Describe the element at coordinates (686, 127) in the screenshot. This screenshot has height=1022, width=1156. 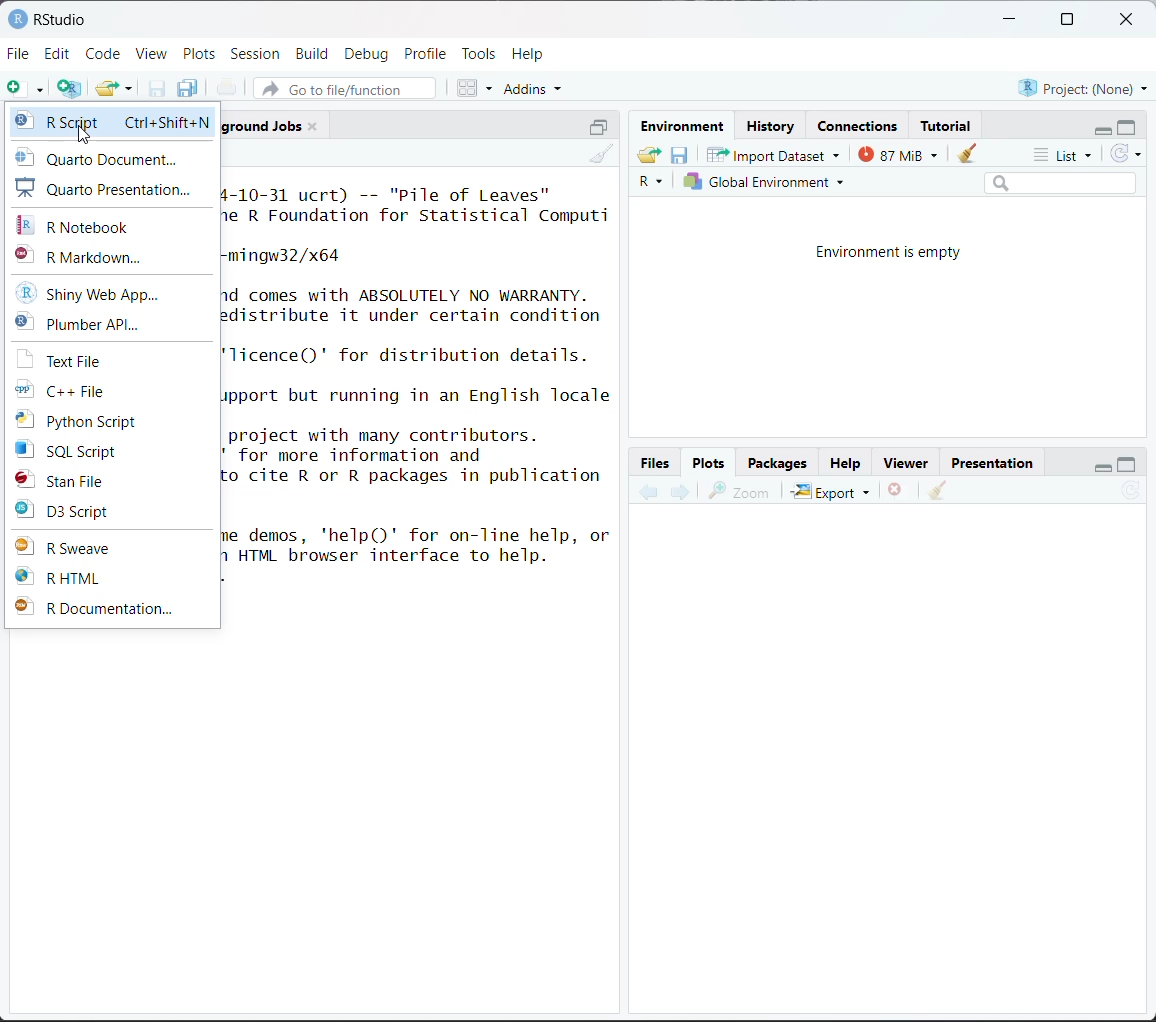
I see `Environment` at that location.